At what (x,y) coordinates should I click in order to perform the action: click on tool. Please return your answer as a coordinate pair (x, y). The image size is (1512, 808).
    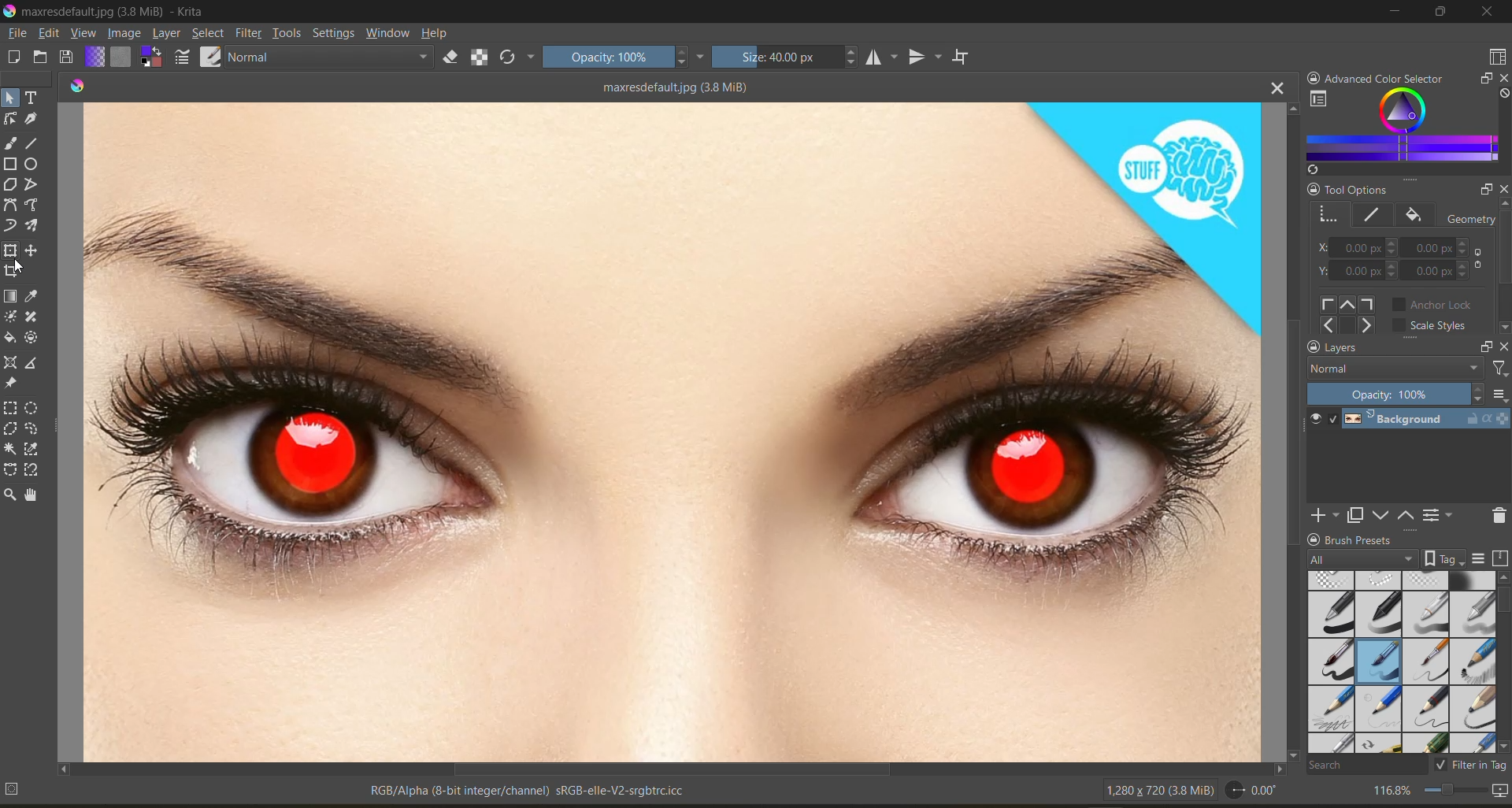
    Looking at the image, I should click on (9, 428).